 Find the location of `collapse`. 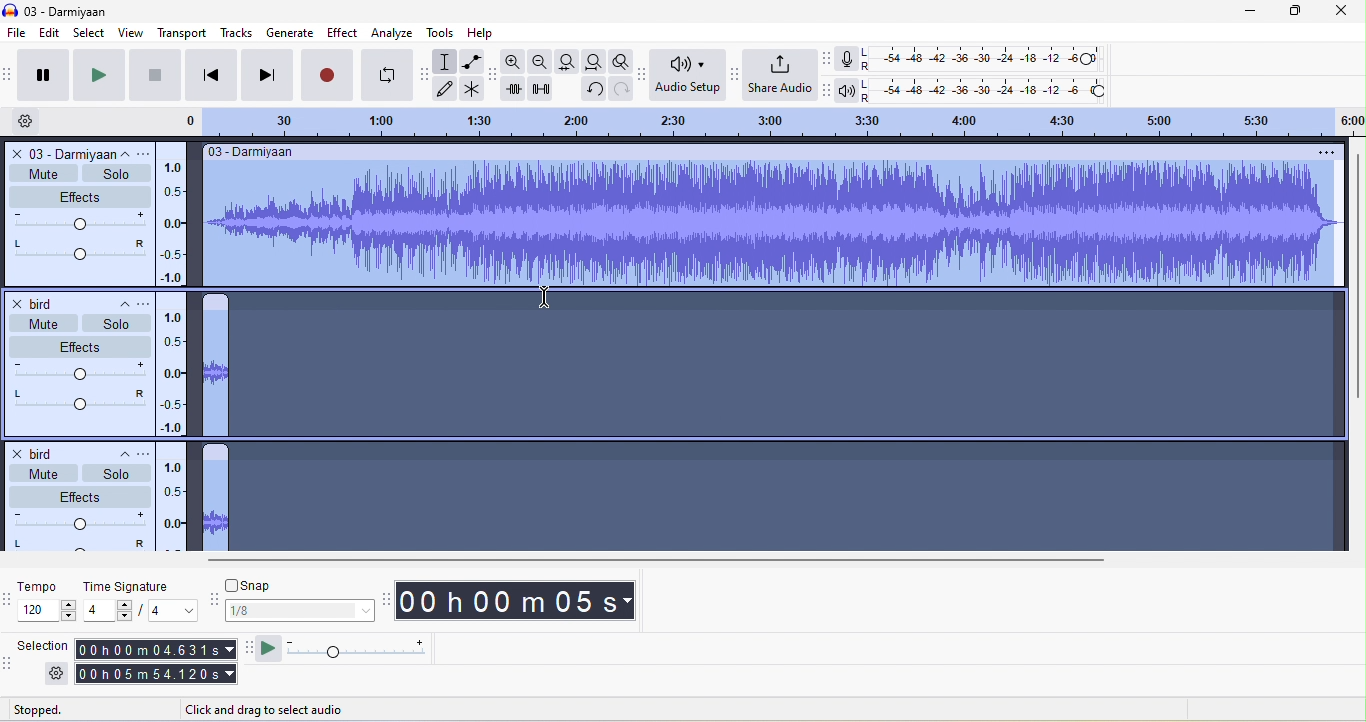

collapse is located at coordinates (123, 455).